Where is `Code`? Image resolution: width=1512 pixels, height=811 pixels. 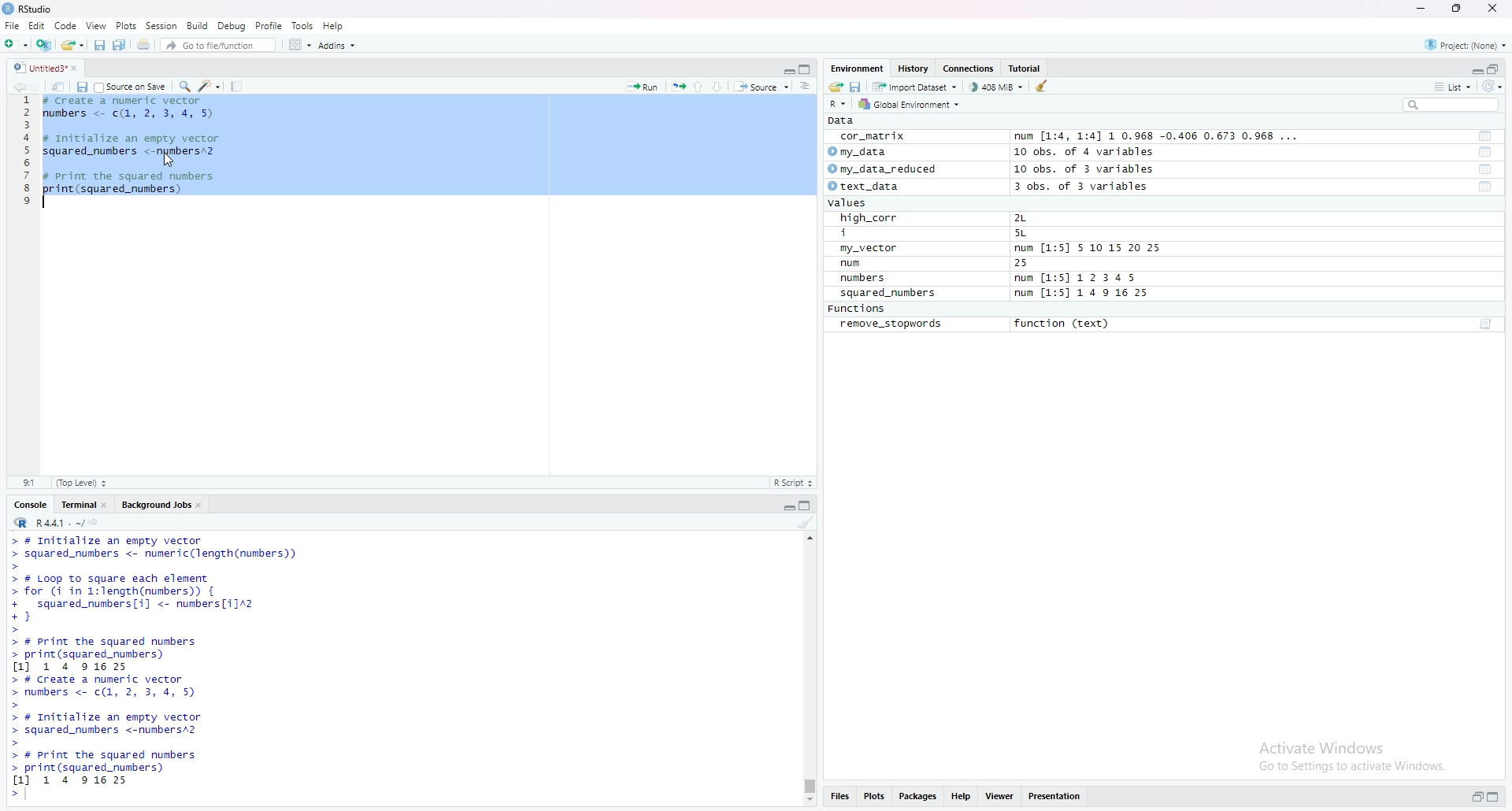
Code is located at coordinates (66, 25).